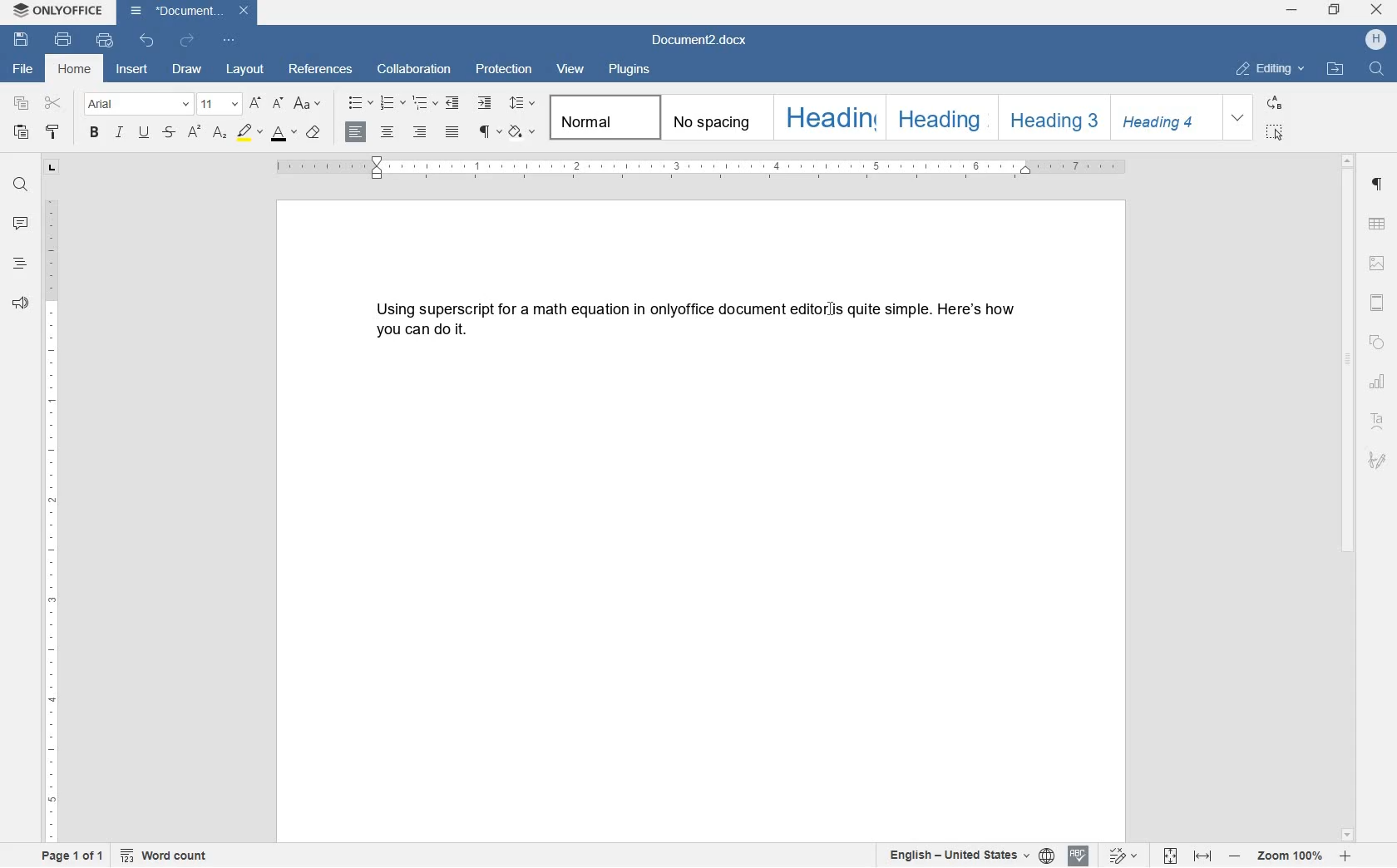 The height and width of the screenshot is (868, 1397). Describe the element at coordinates (357, 133) in the screenshot. I see `align left` at that location.